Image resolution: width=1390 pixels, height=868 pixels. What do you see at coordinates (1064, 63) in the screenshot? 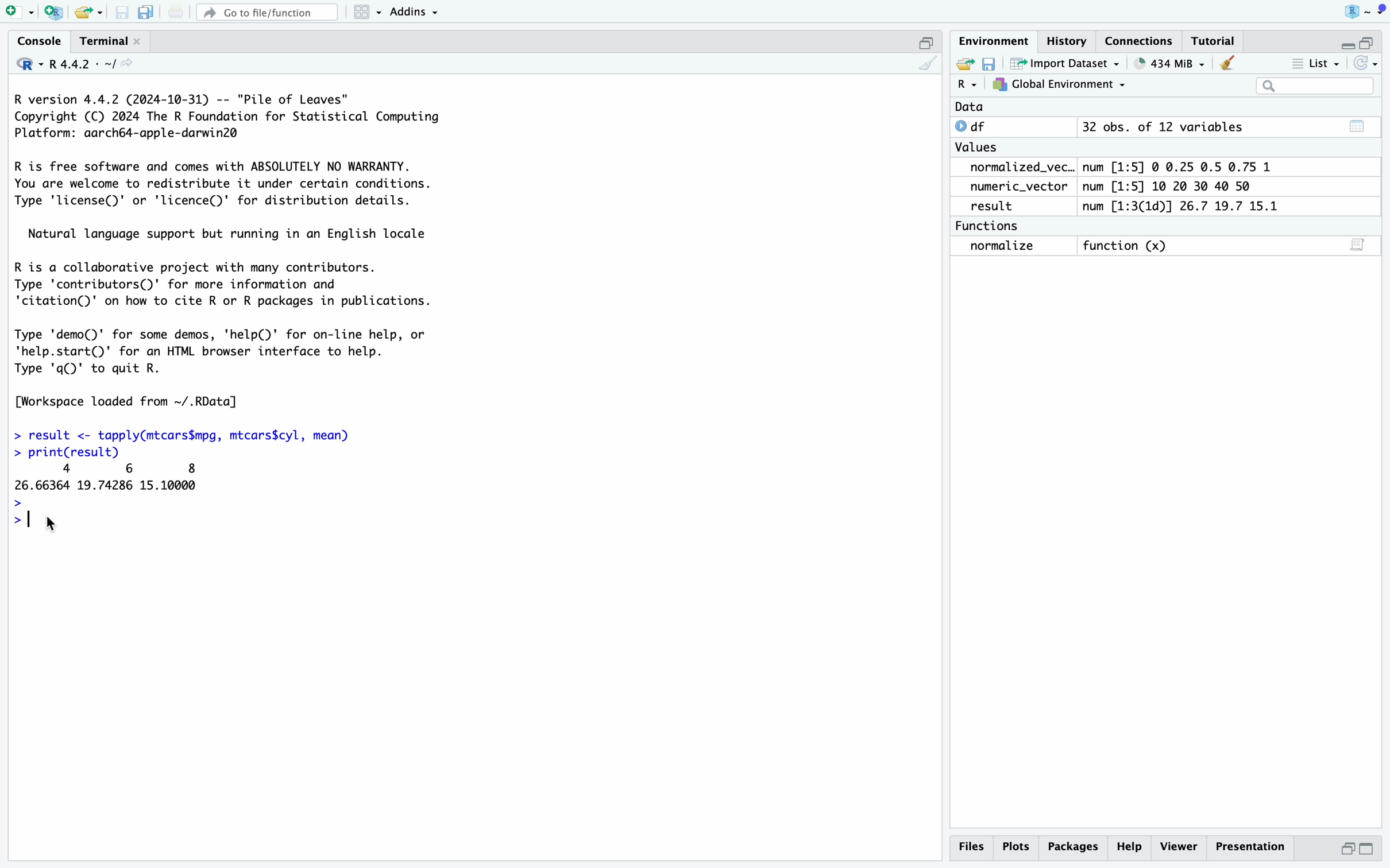
I see `Import Dataset` at bounding box center [1064, 63].